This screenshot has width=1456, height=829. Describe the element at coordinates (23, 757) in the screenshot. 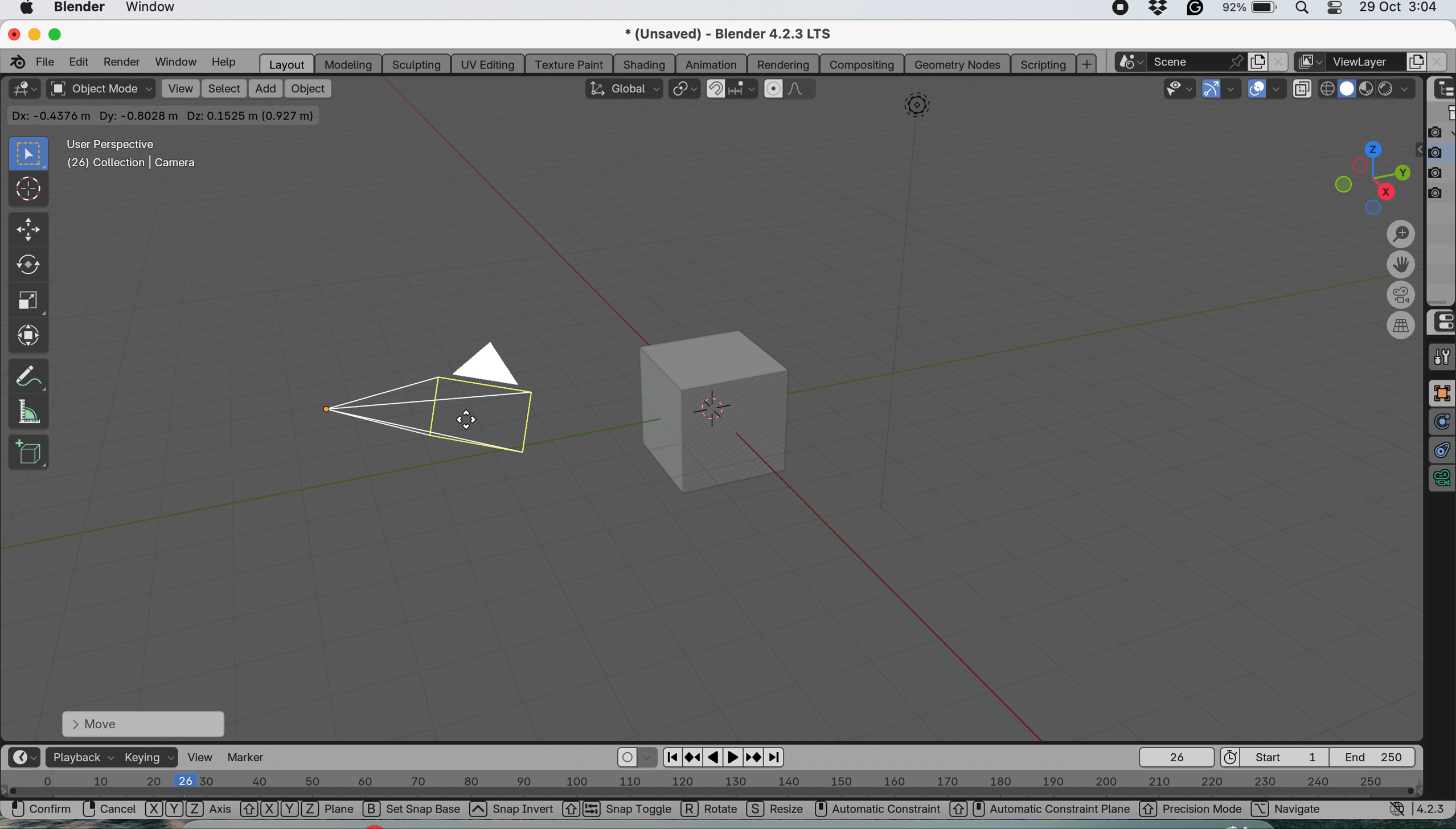

I see `editor type` at that location.